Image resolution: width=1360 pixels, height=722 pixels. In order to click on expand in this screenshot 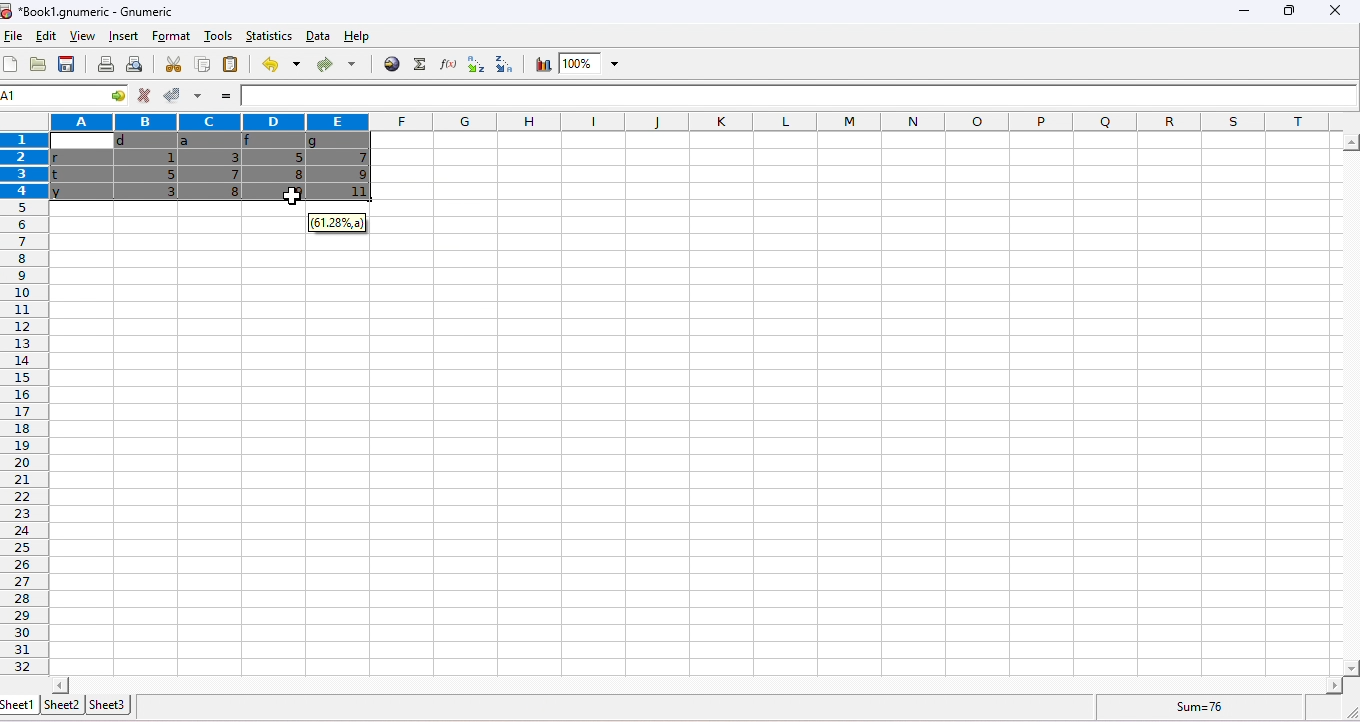, I will do `click(1345, 711)`.